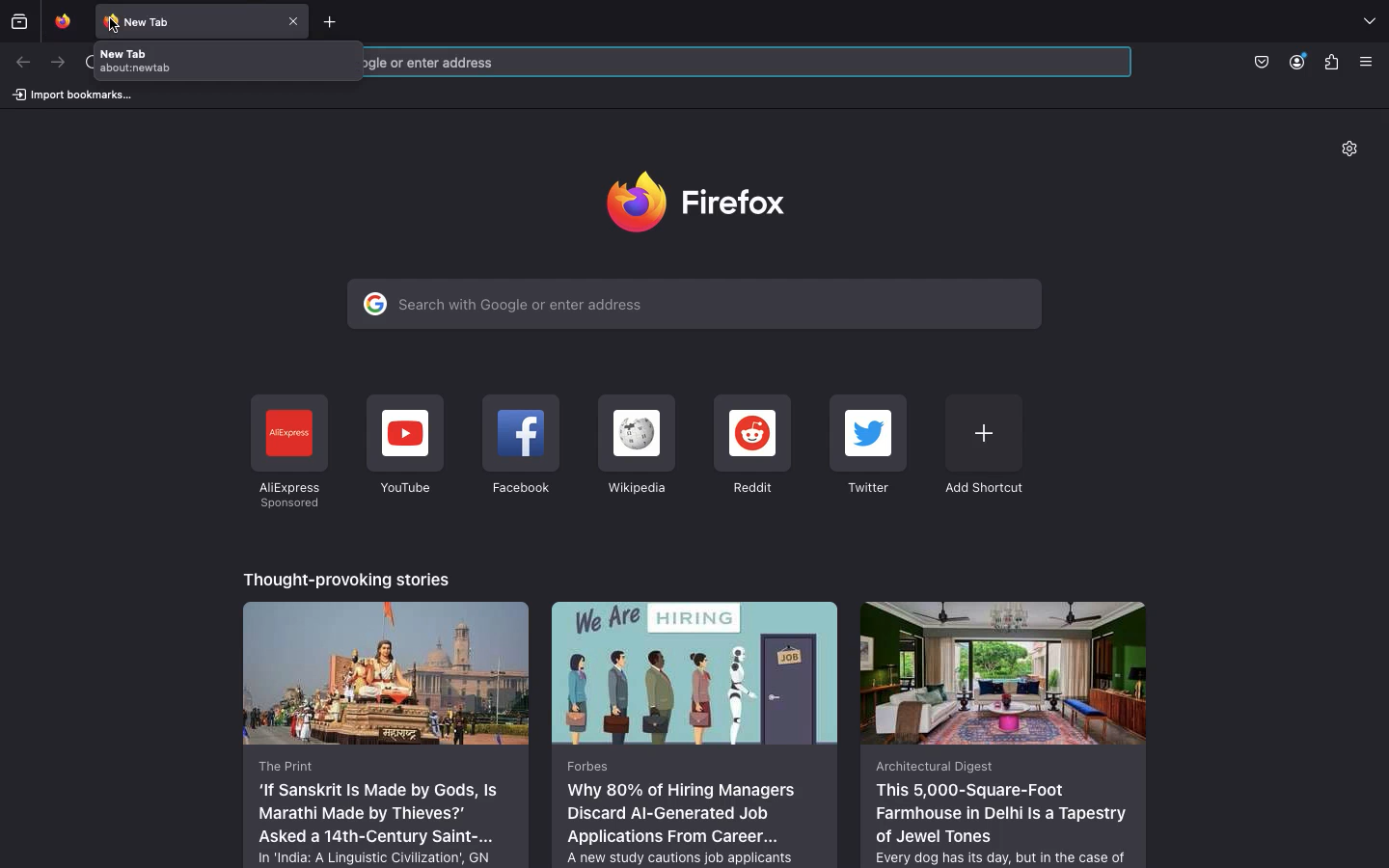  What do you see at coordinates (1260, 61) in the screenshot?
I see `Save to Pocket` at bounding box center [1260, 61].